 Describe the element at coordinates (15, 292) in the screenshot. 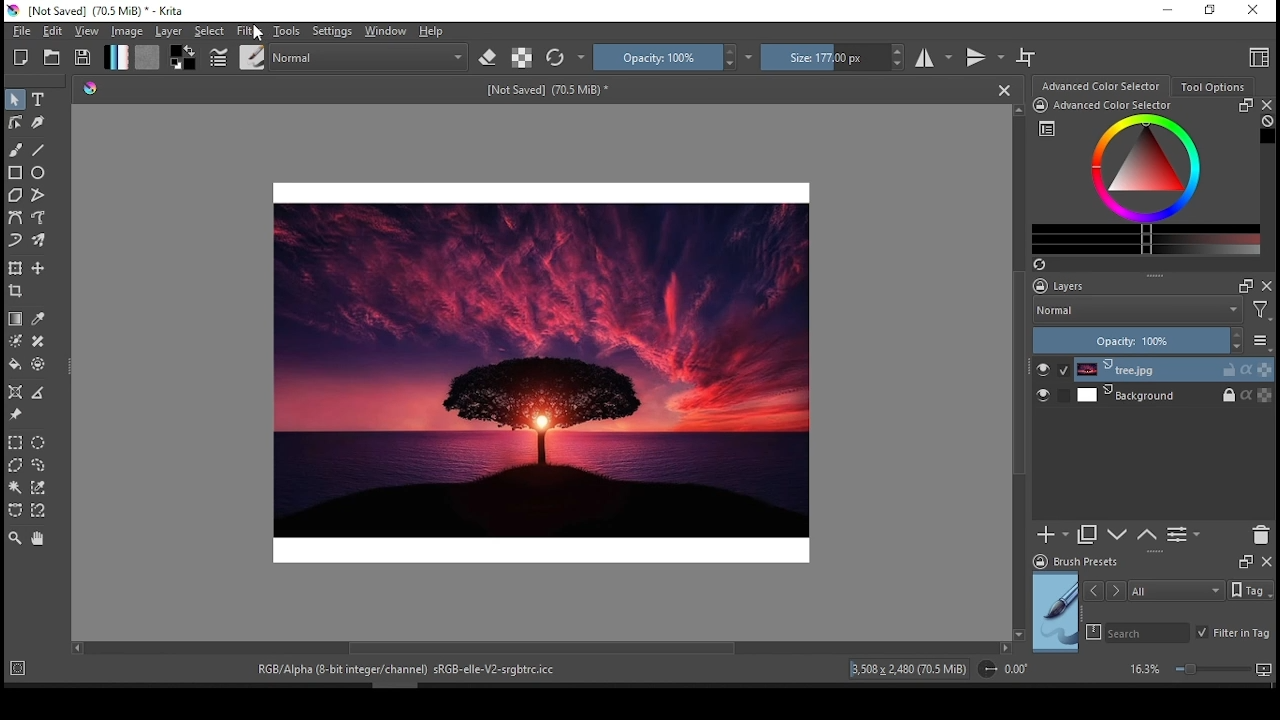

I see `crop the image to an area` at that location.